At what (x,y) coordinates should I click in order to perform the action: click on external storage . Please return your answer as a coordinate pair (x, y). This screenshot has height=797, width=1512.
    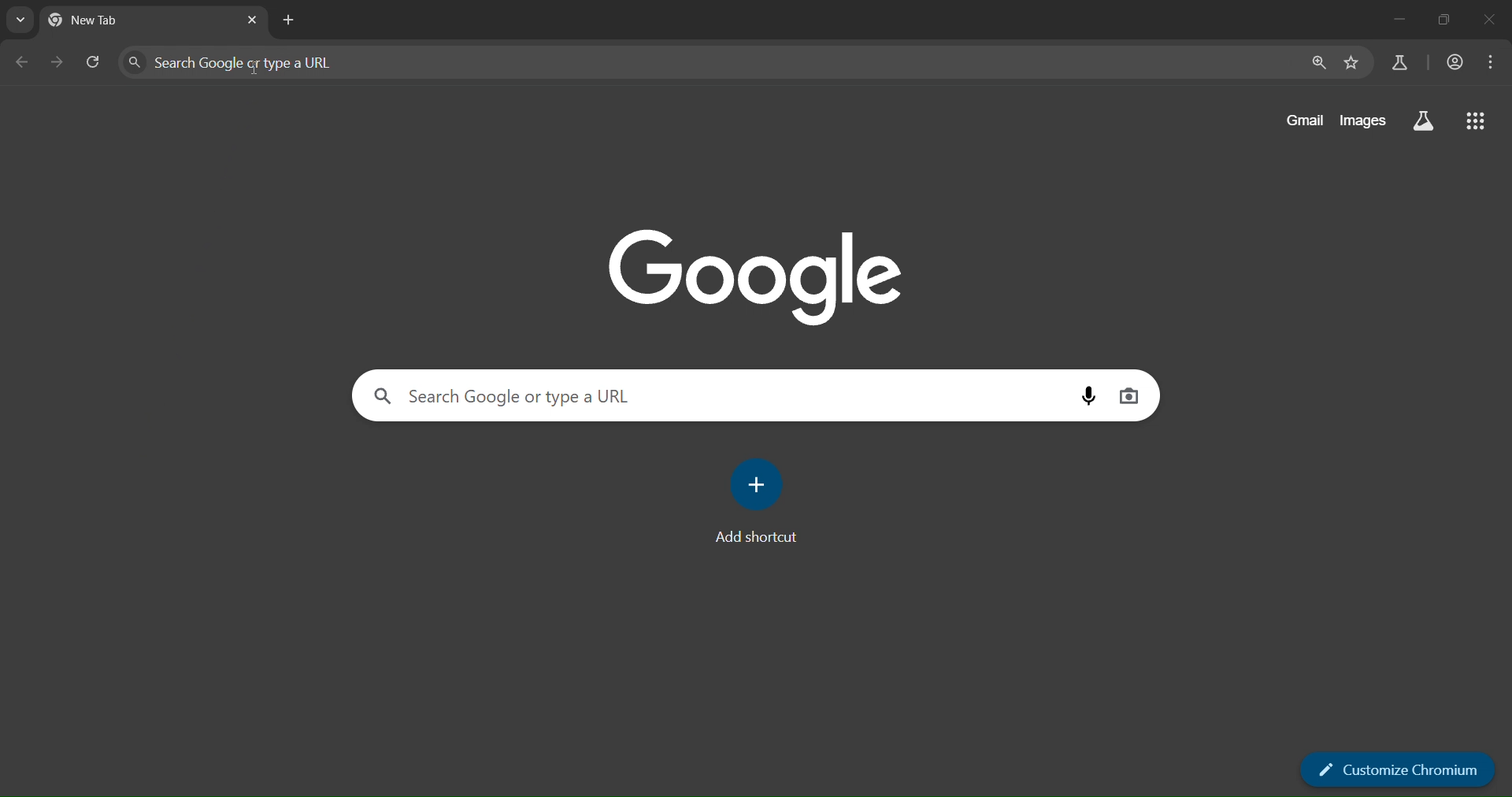
    Looking at the image, I should click on (539, 396).